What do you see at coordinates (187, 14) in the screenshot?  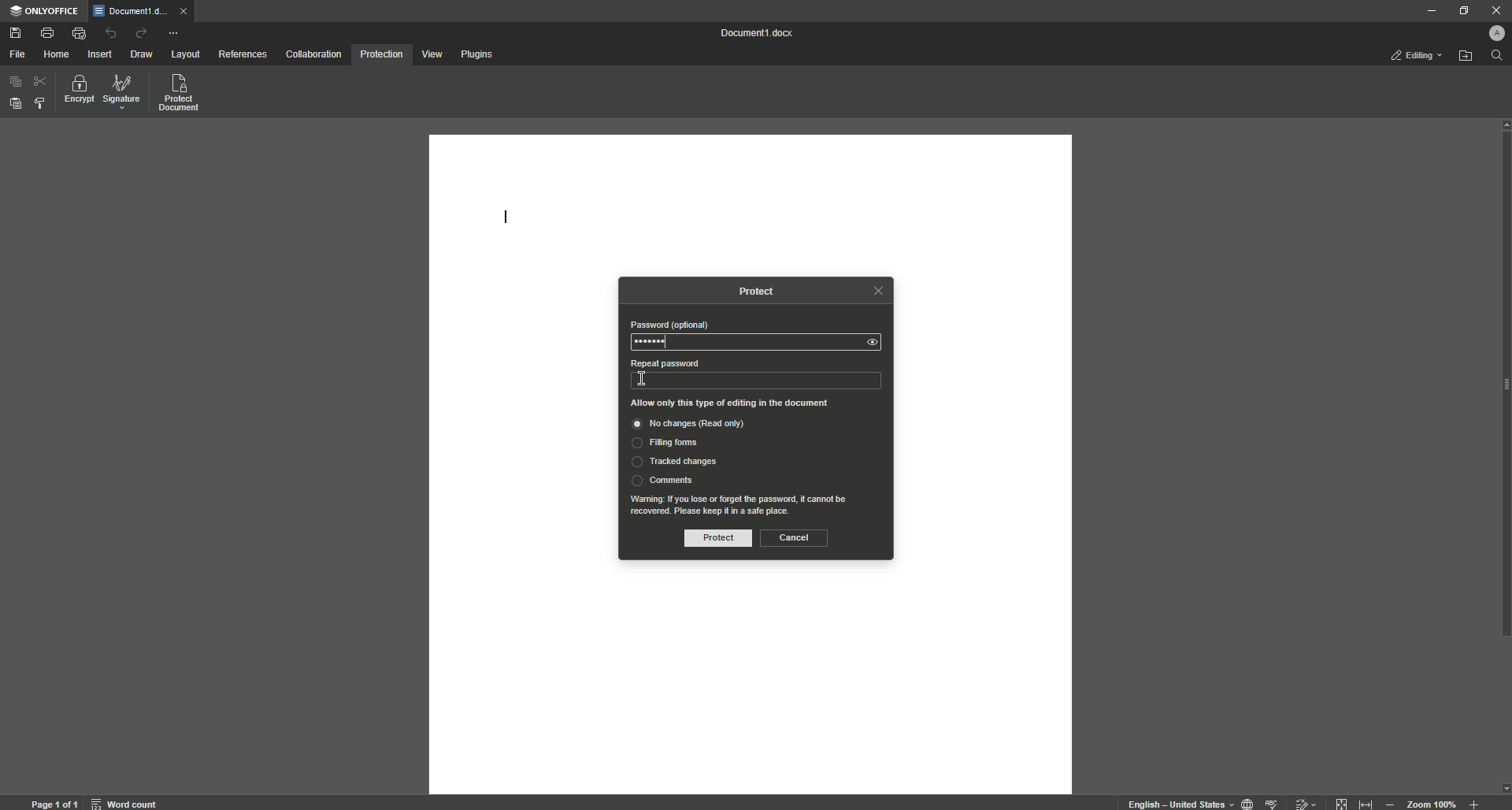 I see `close` at bounding box center [187, 14].